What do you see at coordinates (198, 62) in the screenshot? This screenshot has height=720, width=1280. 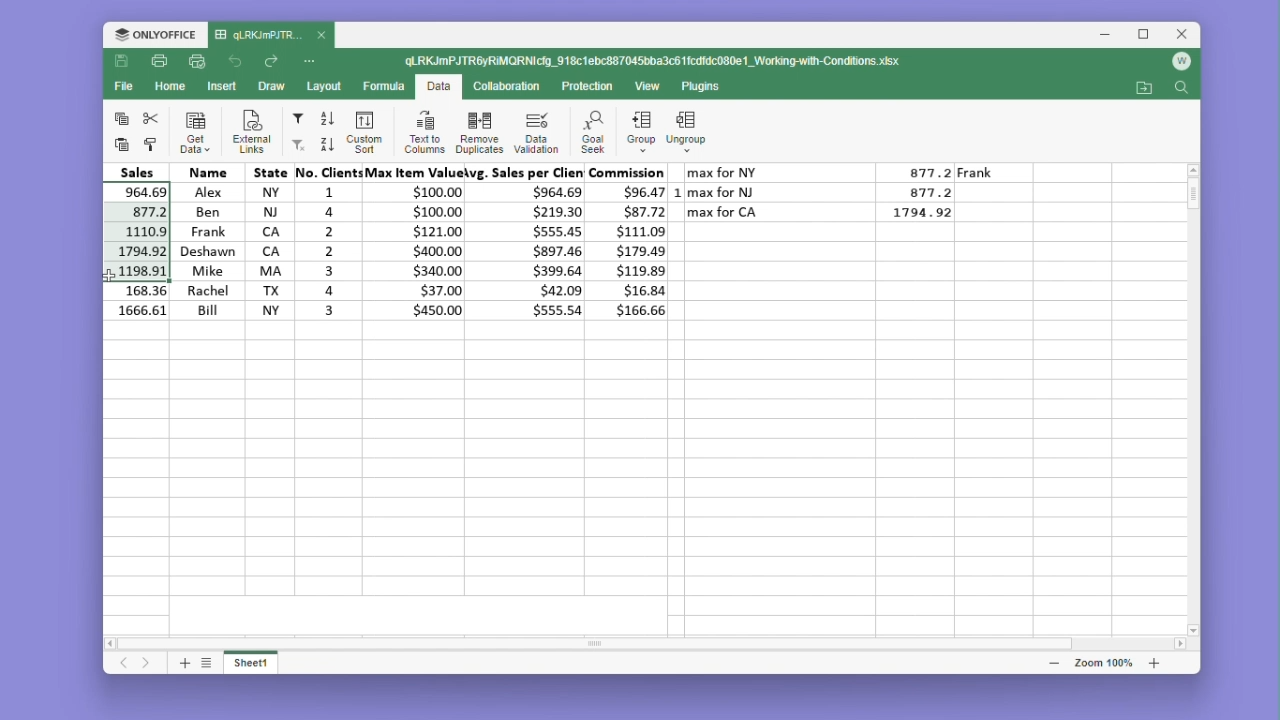 I see `quick print` at bounding box center [198, 62].